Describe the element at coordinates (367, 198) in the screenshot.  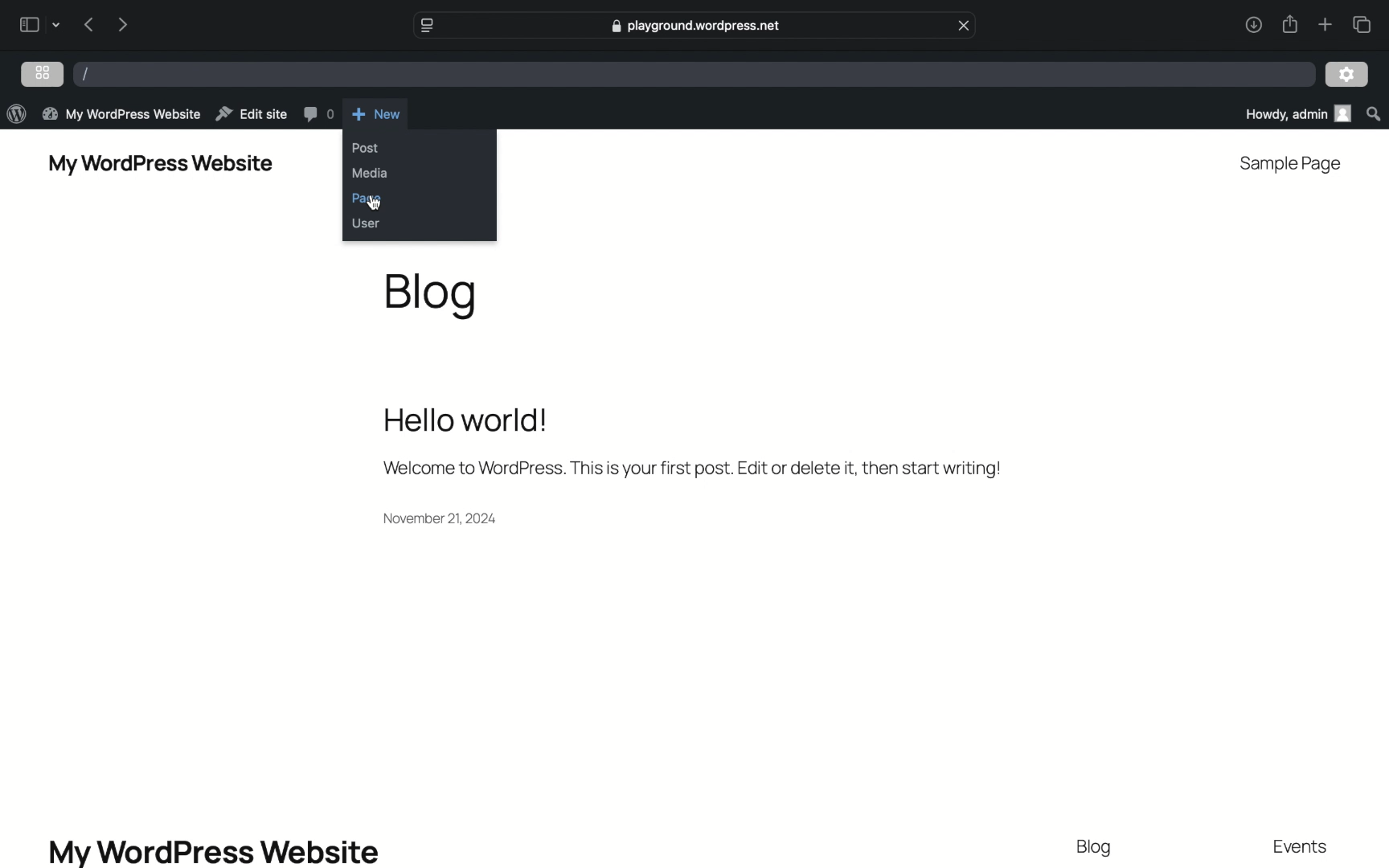
I see `page` at that location.